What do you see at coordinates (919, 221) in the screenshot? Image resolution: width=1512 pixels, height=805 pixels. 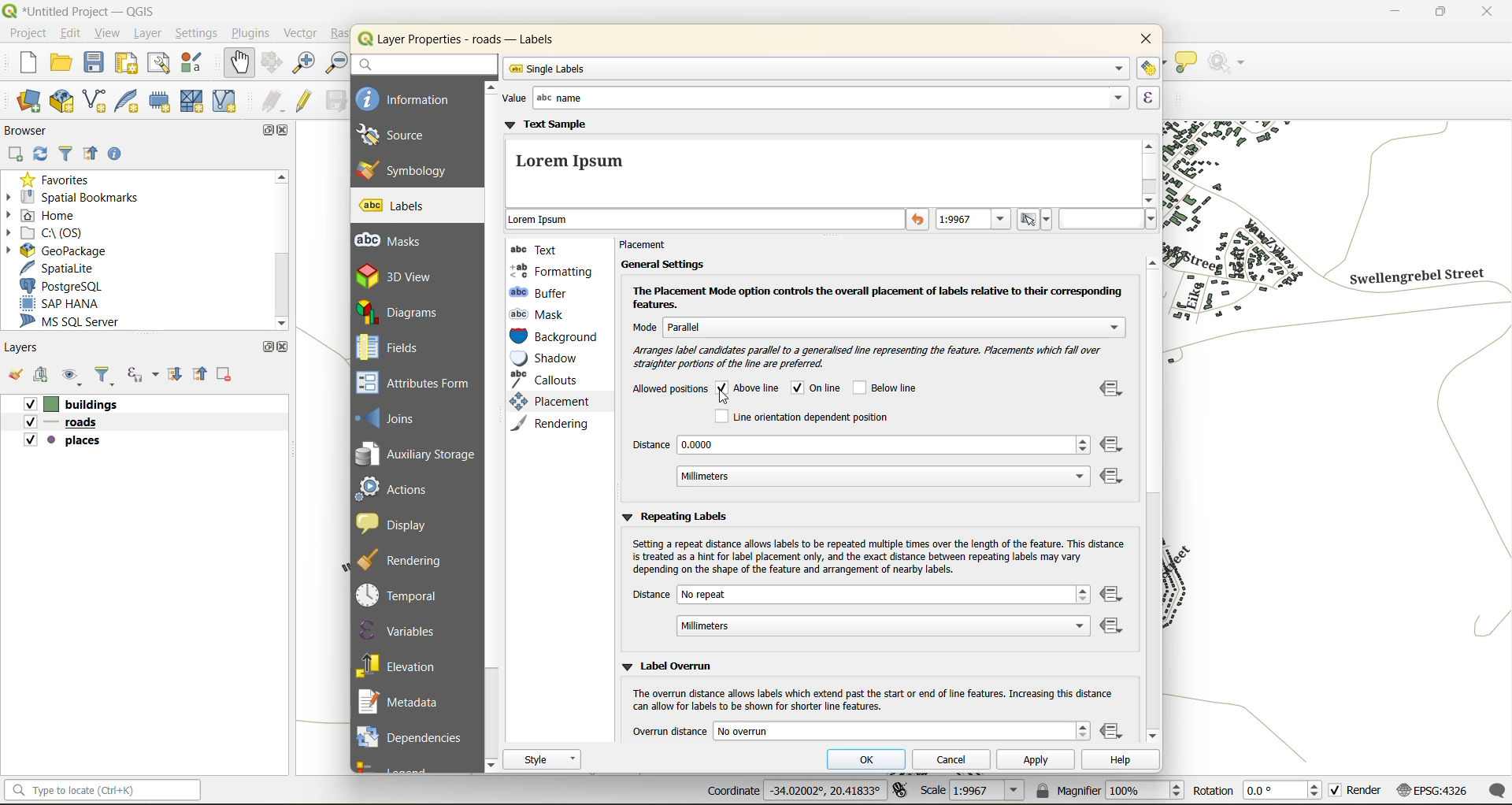 I see `reset` at bounding box center [919, 221].